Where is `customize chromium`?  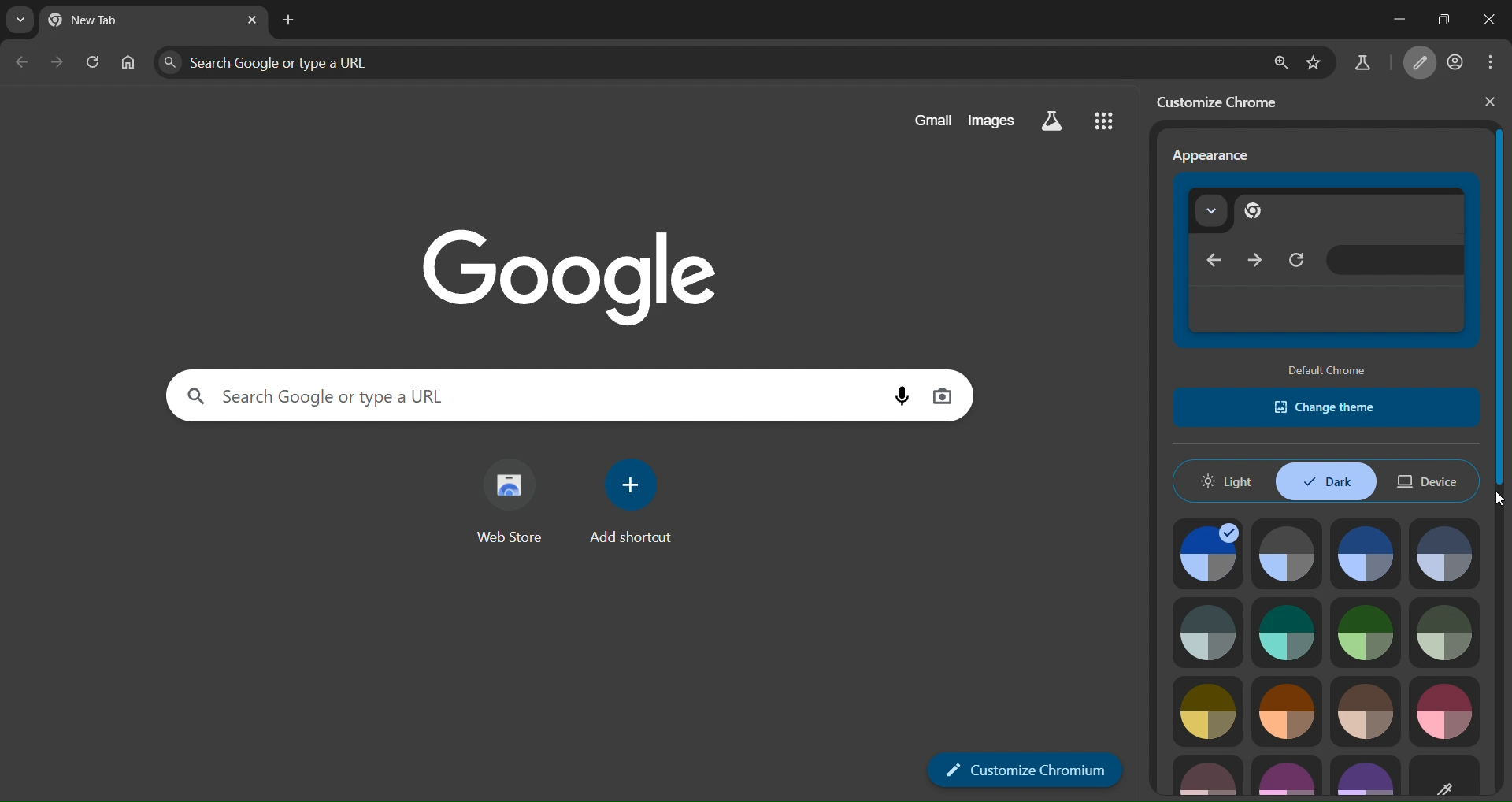
customize chromium is located at coordinates (1419, 64).